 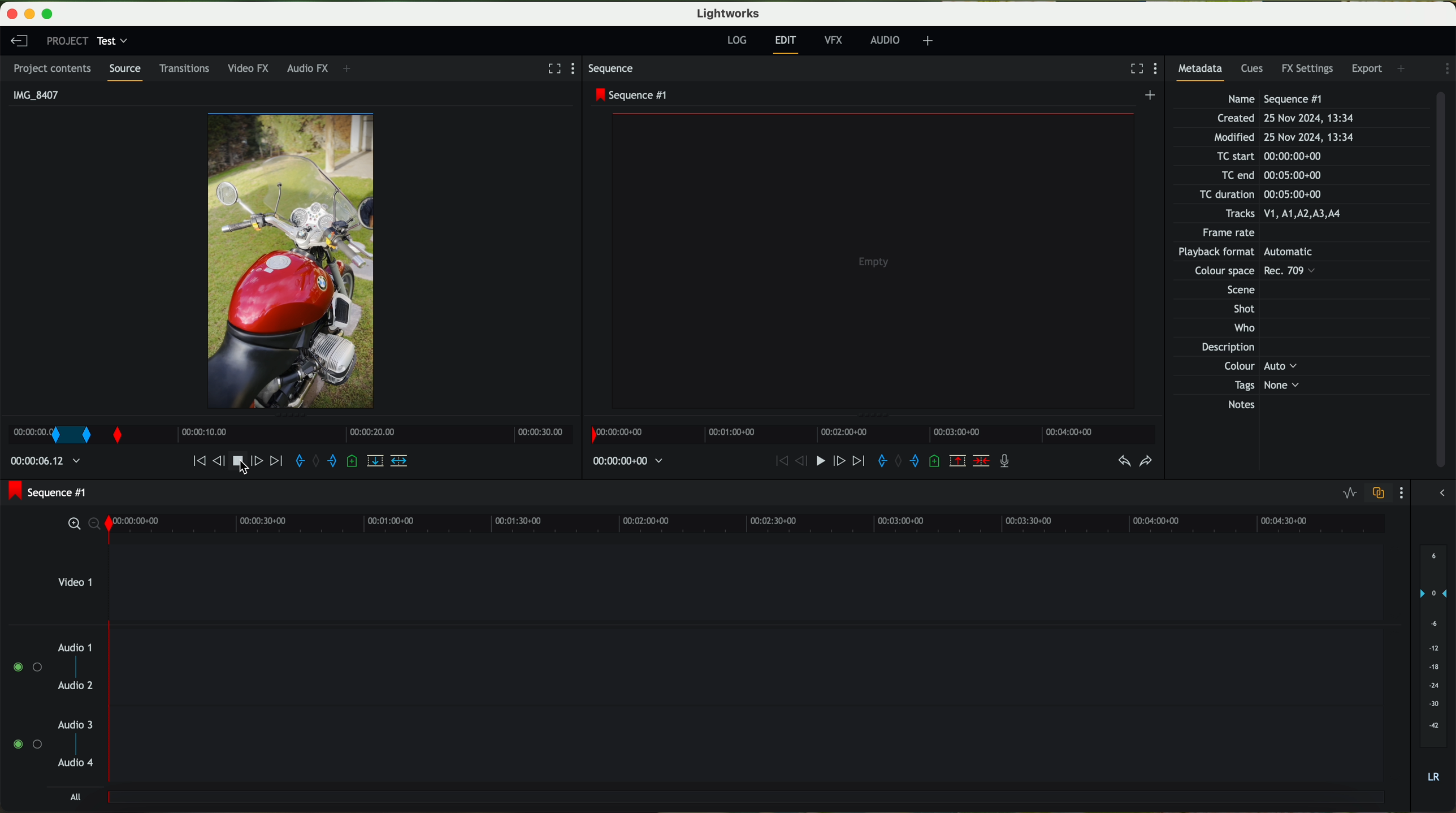 What do you see at coordinates (25, 706) in the screenshot?
I see `enable audio tracks` at bounding box center [25, 706].